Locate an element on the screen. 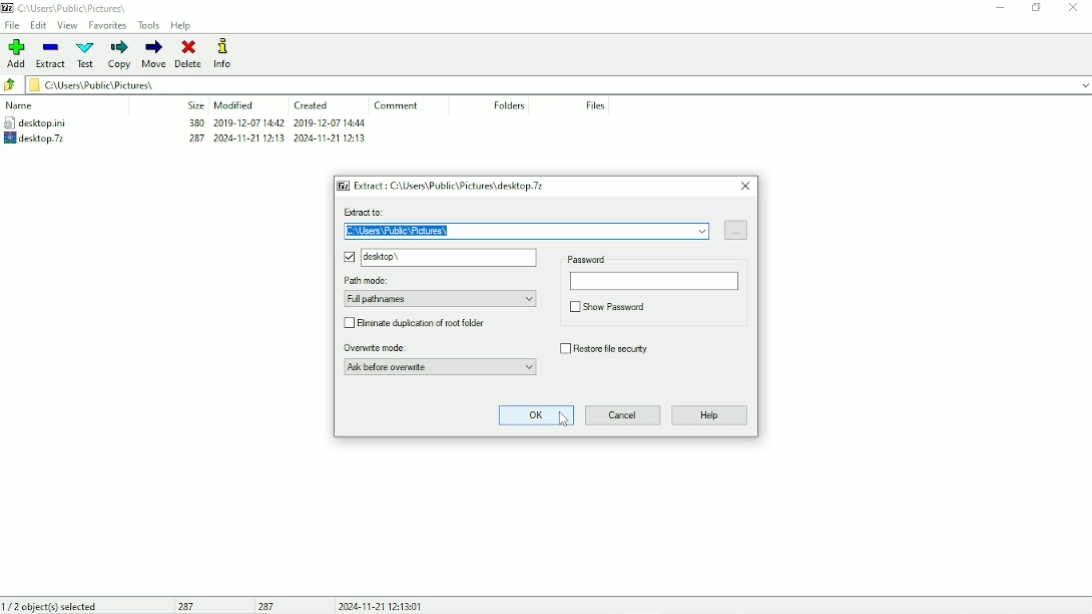 The image size is (1092, 614). § CAUsers\Fublic\ Pictures| is located at coordinates (548, 85).